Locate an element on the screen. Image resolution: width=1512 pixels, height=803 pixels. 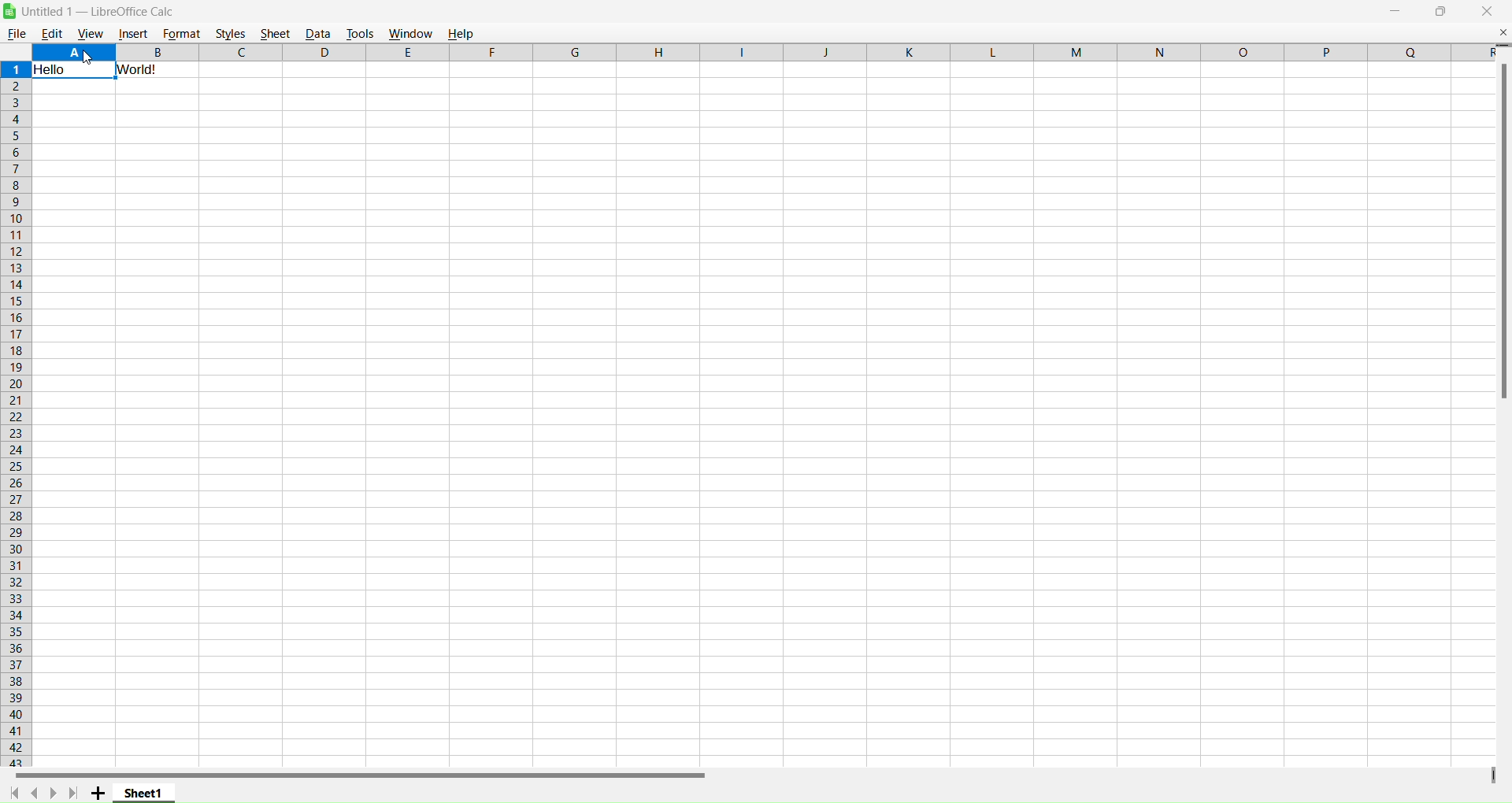
World! is located at coordinates (139, 69).